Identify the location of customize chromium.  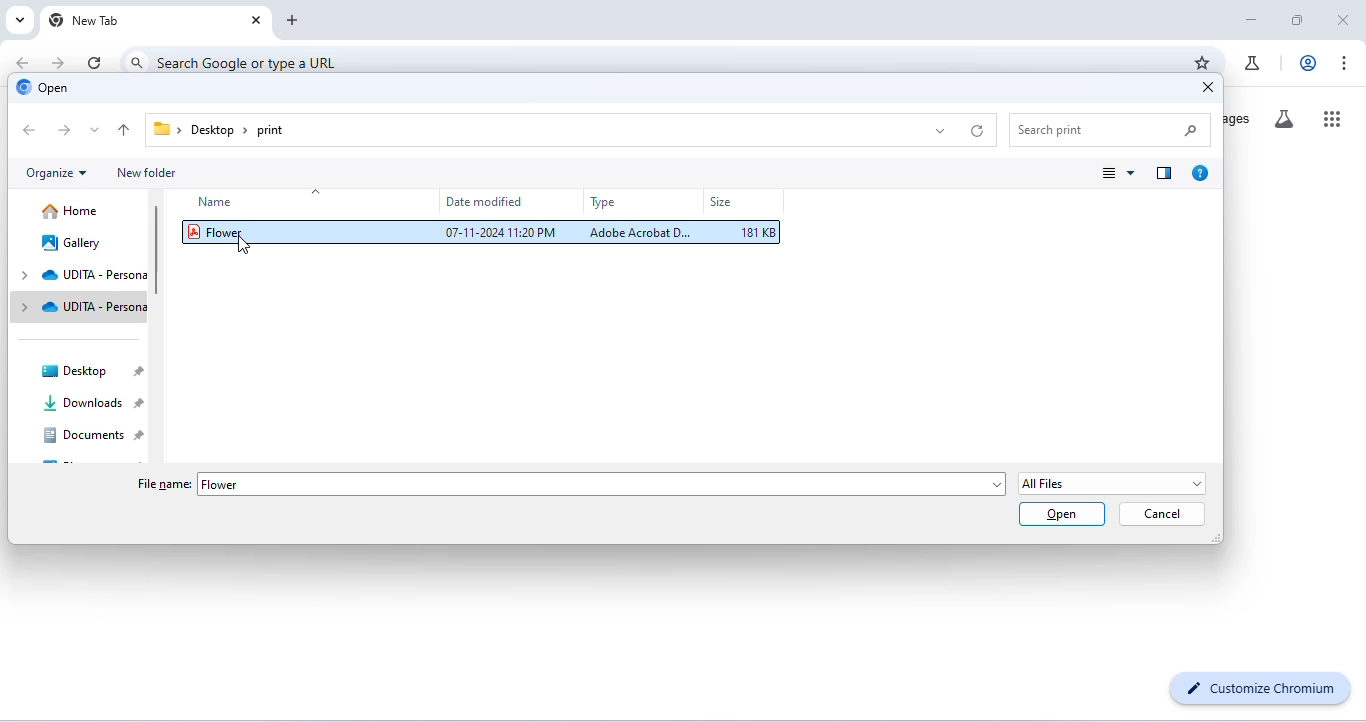
(1258, 689).